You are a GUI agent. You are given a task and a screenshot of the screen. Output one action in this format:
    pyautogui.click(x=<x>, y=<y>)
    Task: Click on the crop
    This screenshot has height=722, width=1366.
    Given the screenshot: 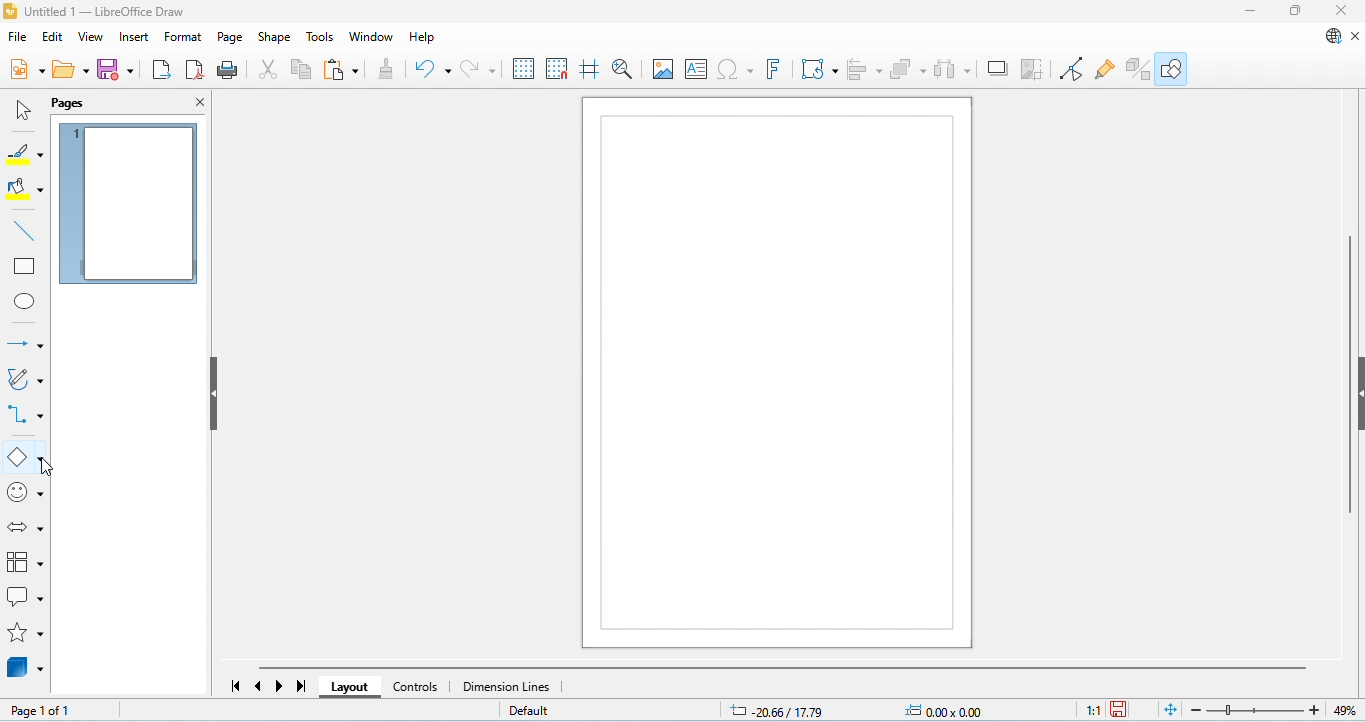 What is the action you would take?
    pyautogui.click(x=1033, y=69)
    